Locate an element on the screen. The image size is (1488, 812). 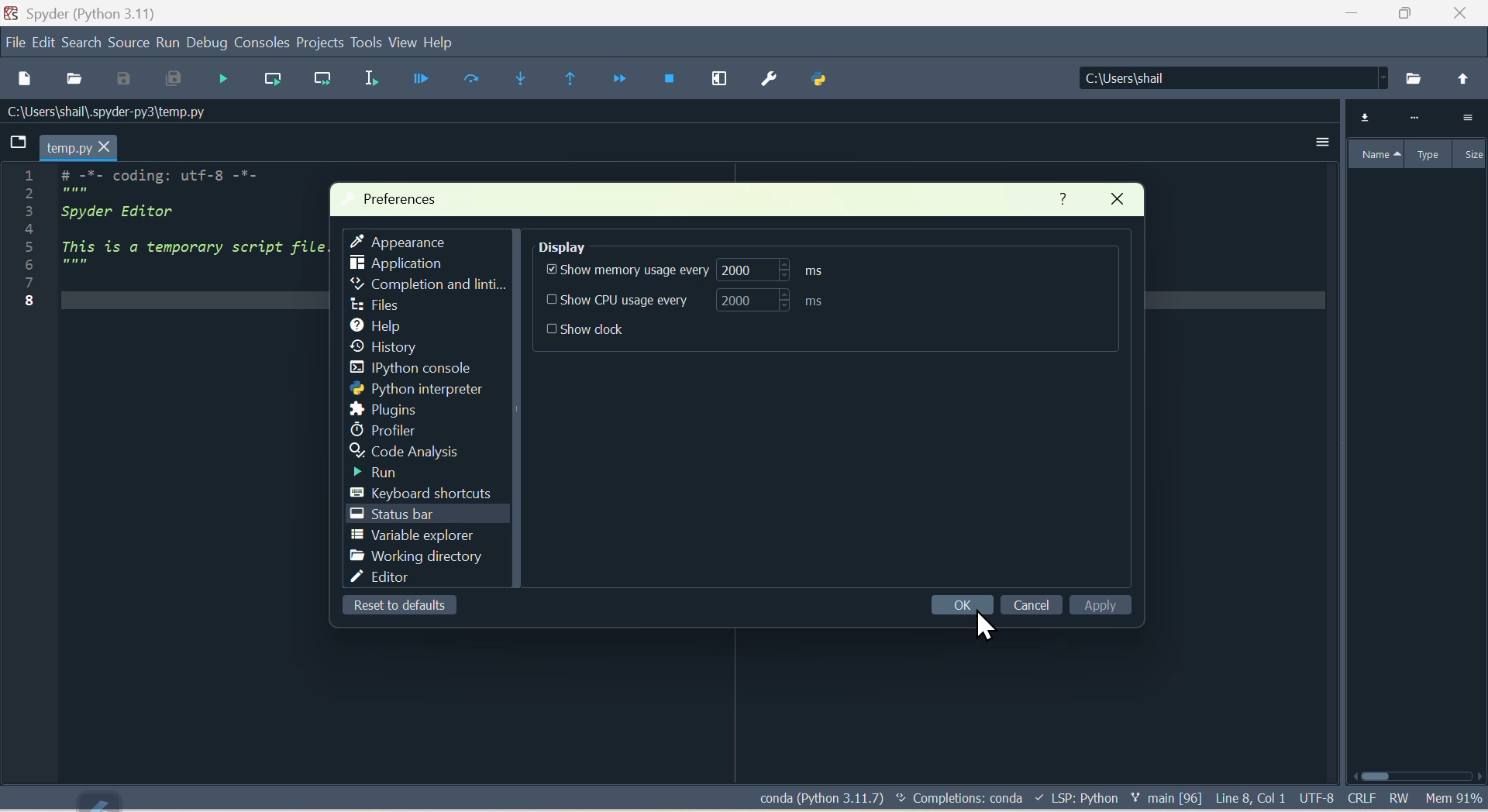
Keyboard shortcuts is located at coordinates (422, 494).